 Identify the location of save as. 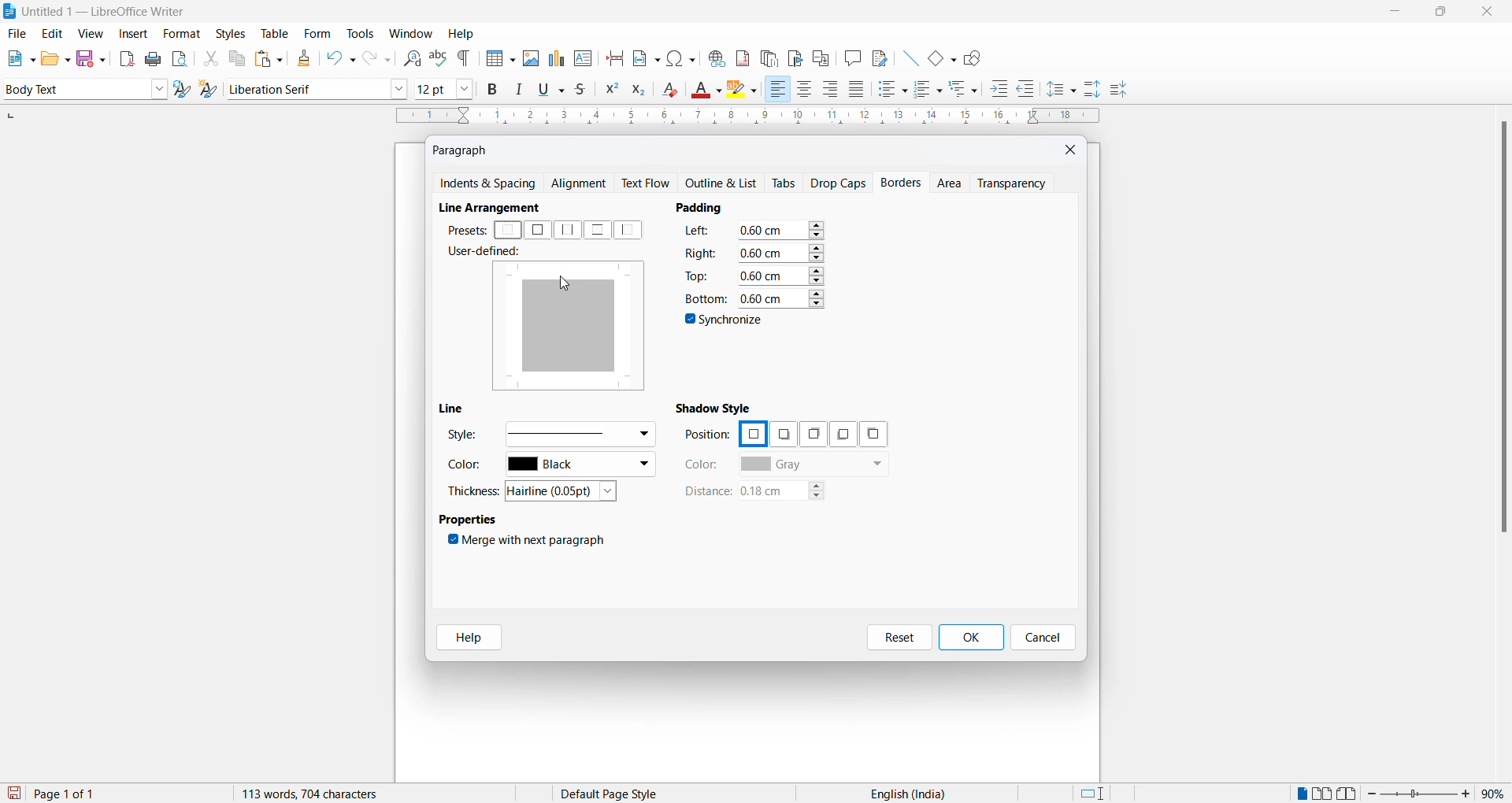
(94, 55).